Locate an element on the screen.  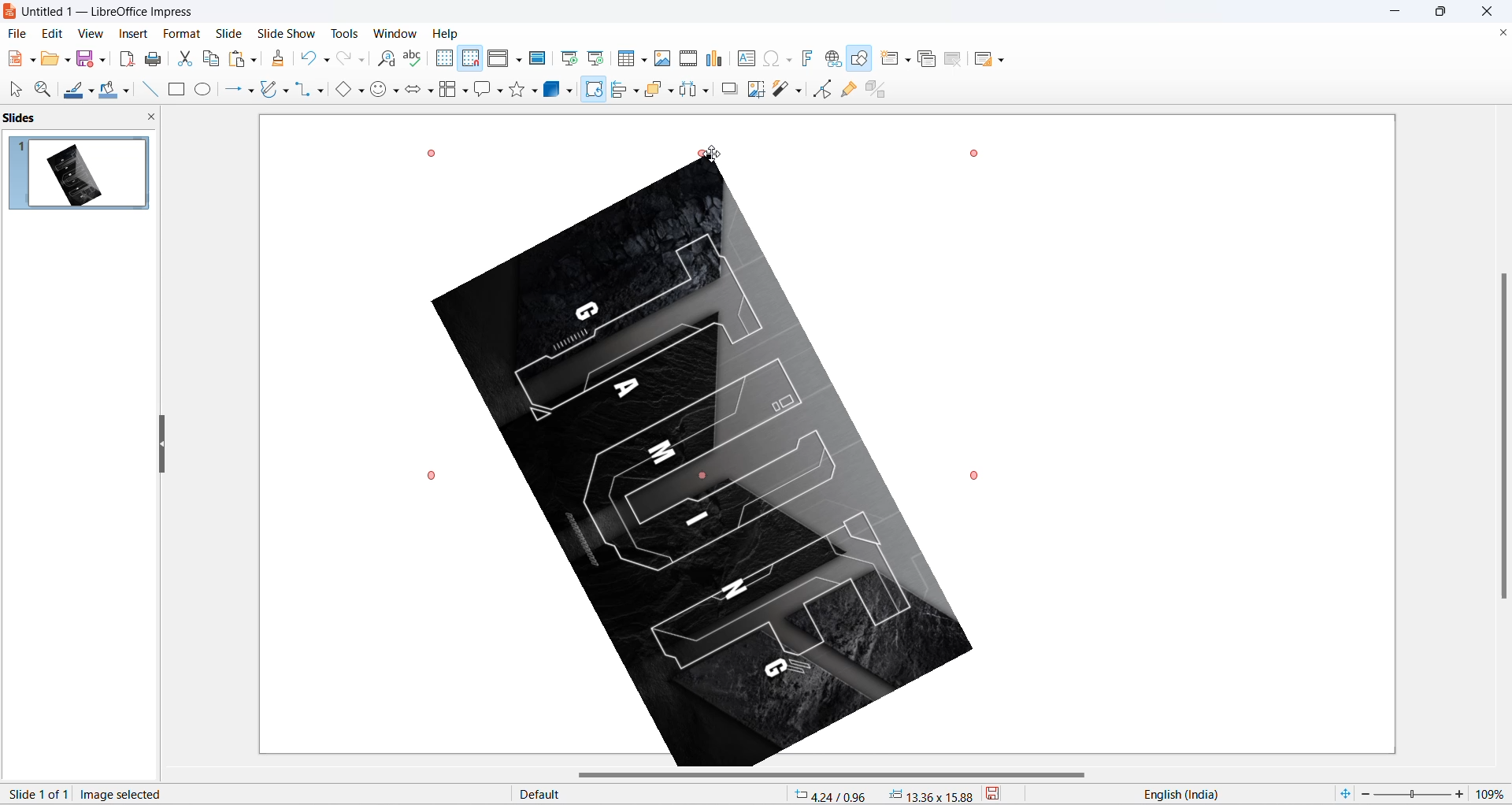
save  is located at coordinates (86, 61).